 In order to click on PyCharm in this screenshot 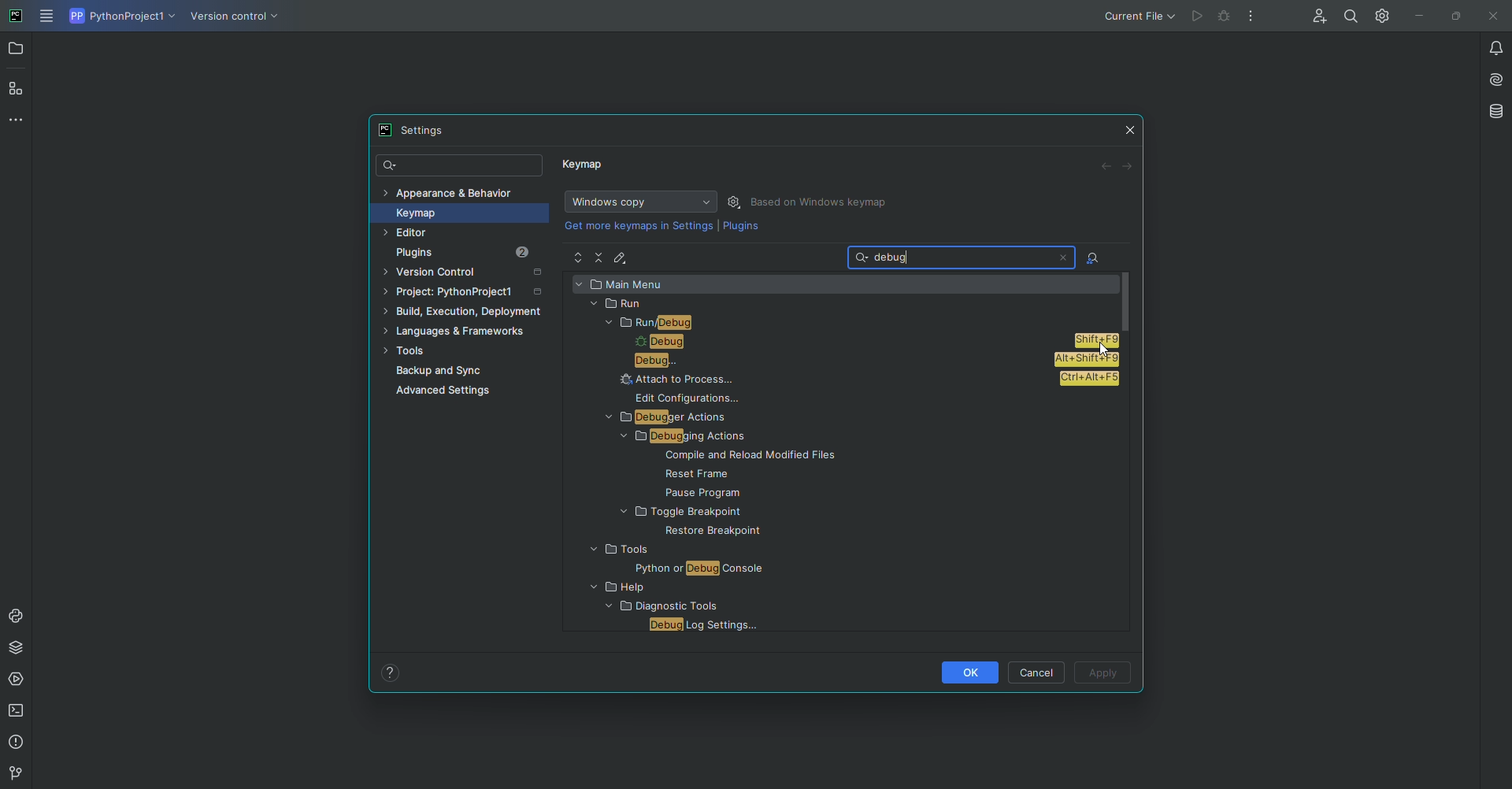, I will do `click(17, 17)`.